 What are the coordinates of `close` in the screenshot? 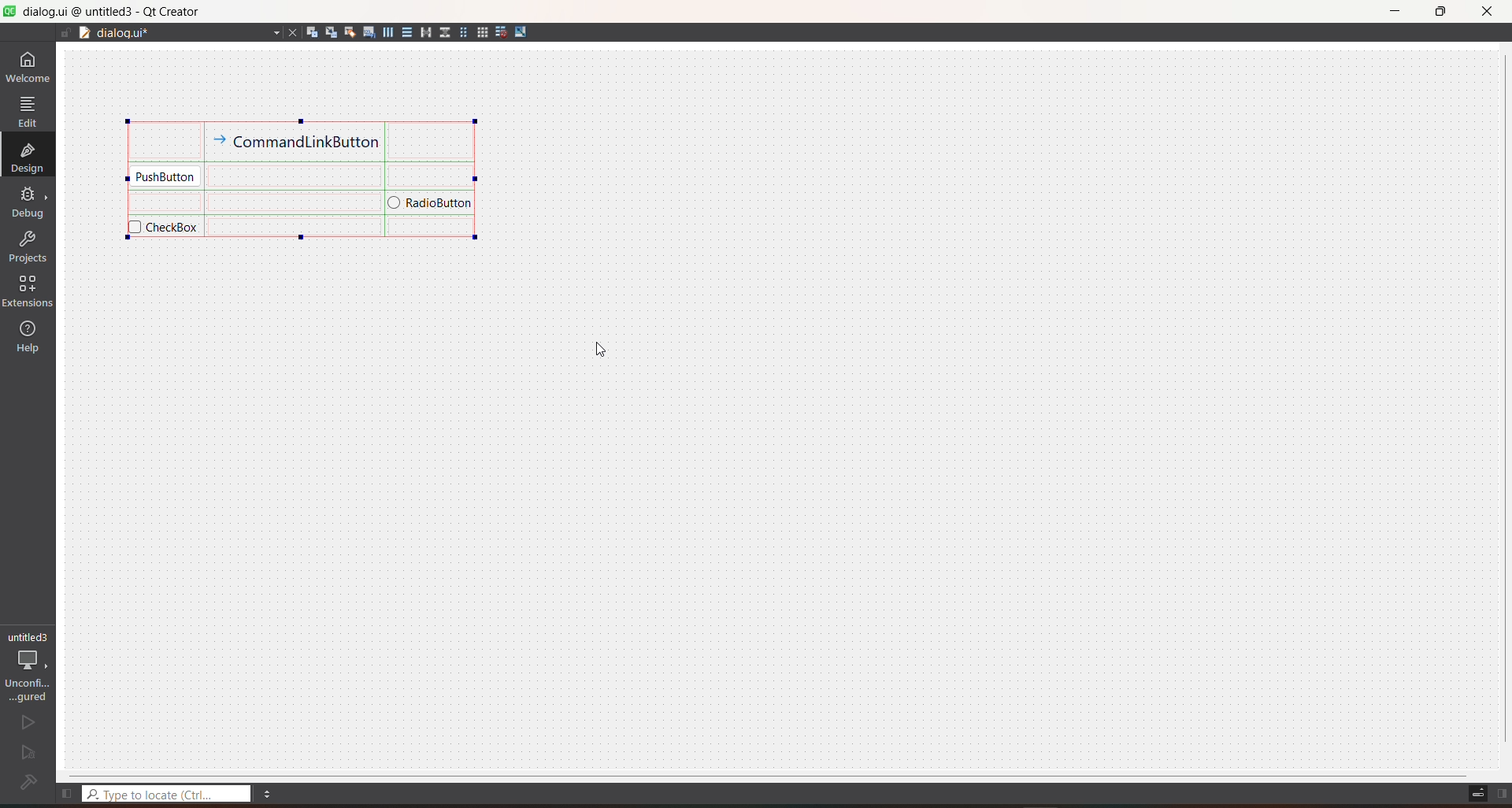 It's located at (1485, 12).